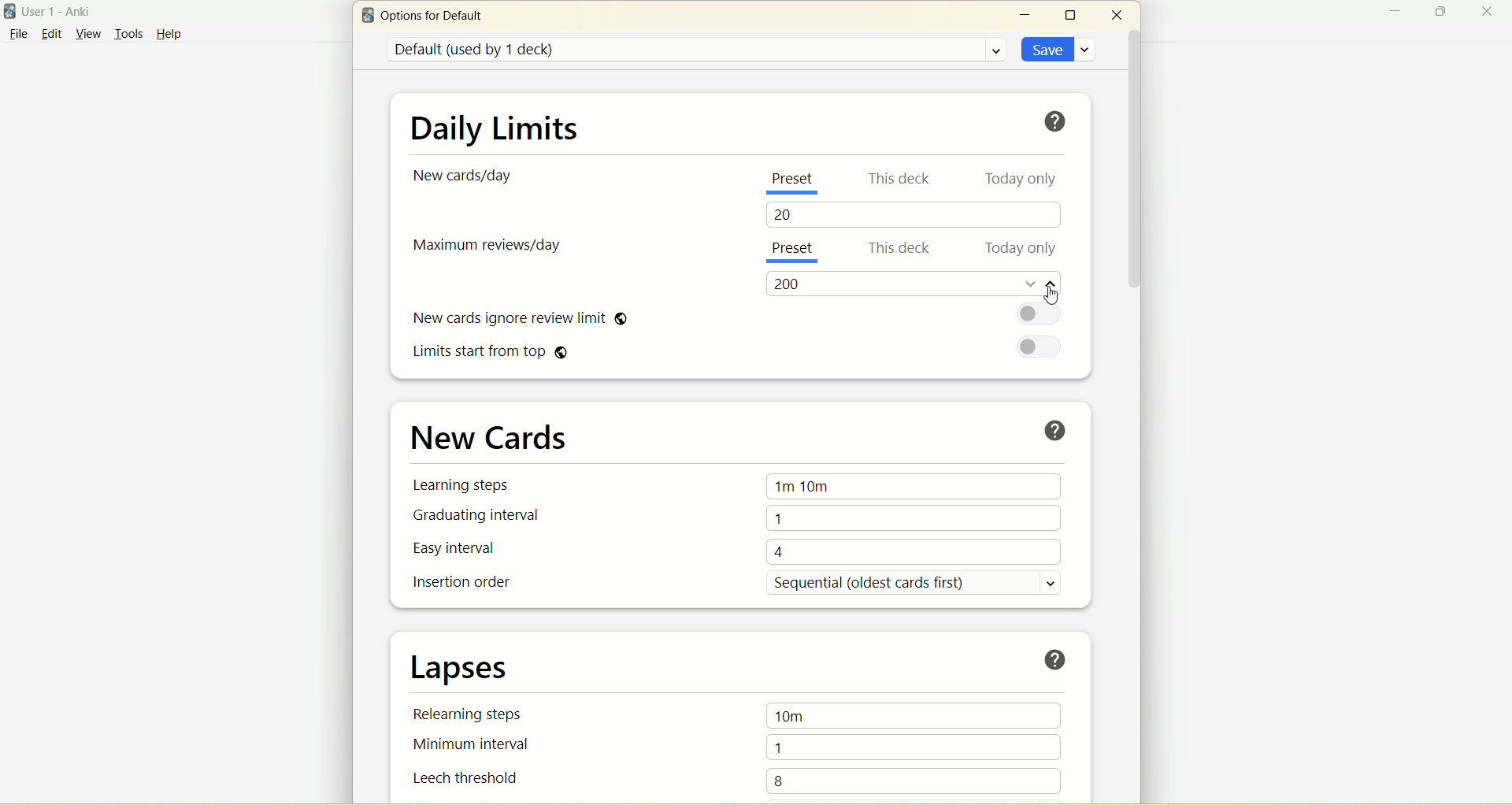 Image resolution: width=1512 pixels, height=805 pixels. Describe the element at coordinates (1043, 348) in the screenshot. I see `toggle button` at that location.